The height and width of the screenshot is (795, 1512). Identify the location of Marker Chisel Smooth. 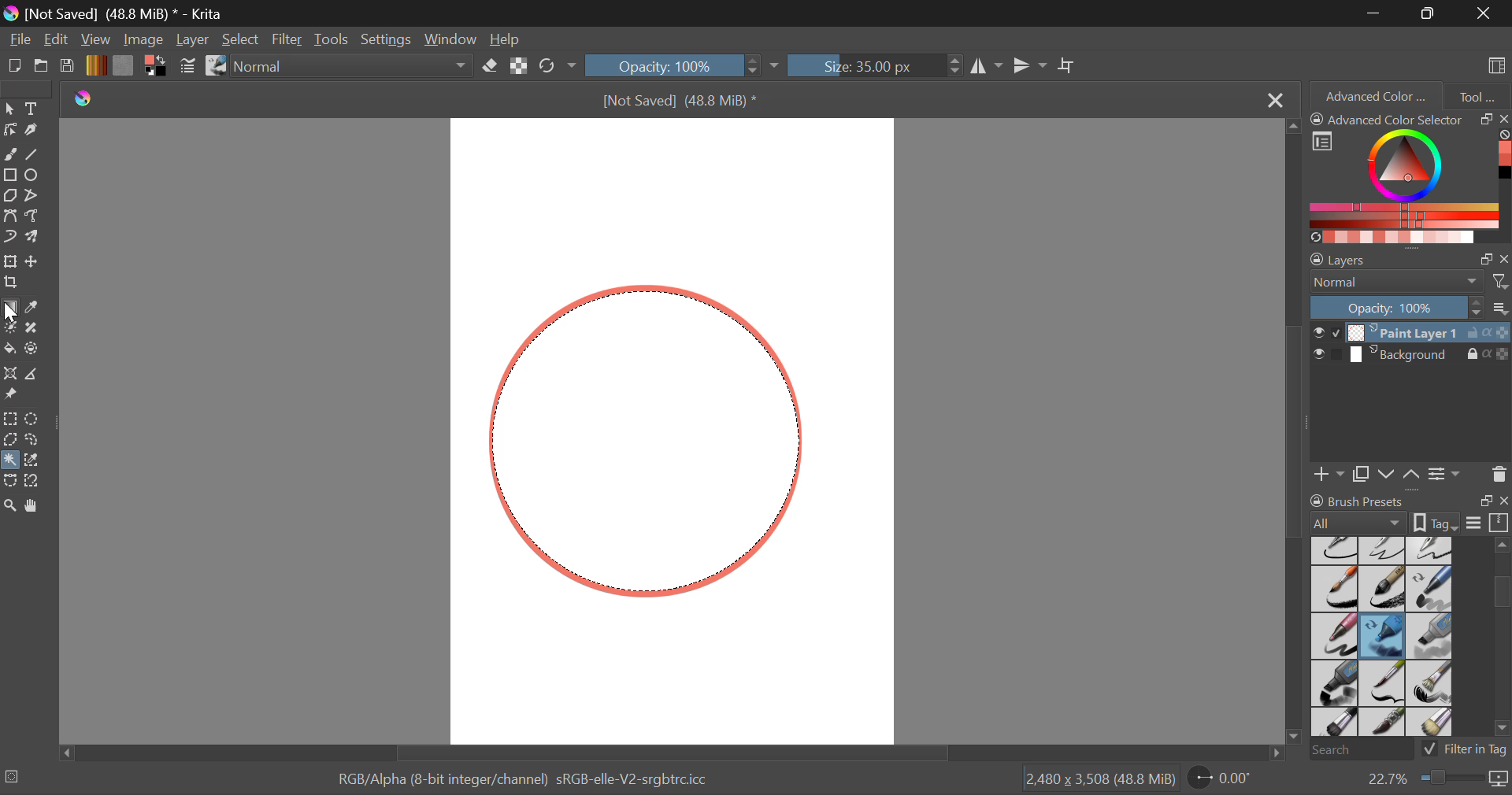
(1430, 588).